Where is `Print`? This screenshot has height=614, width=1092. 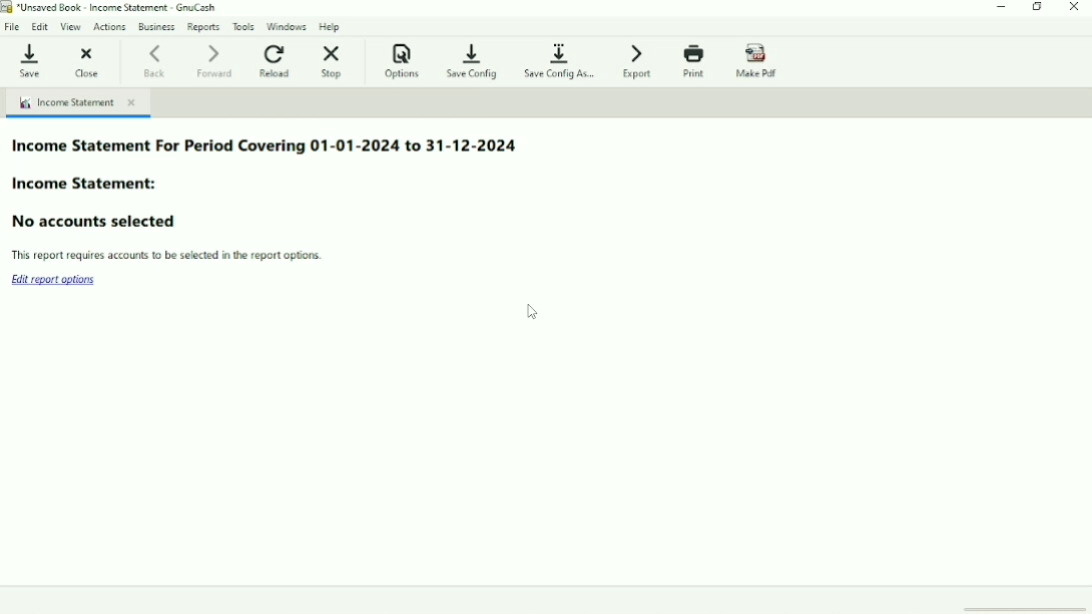
Print is located at coordinates (696, 61).